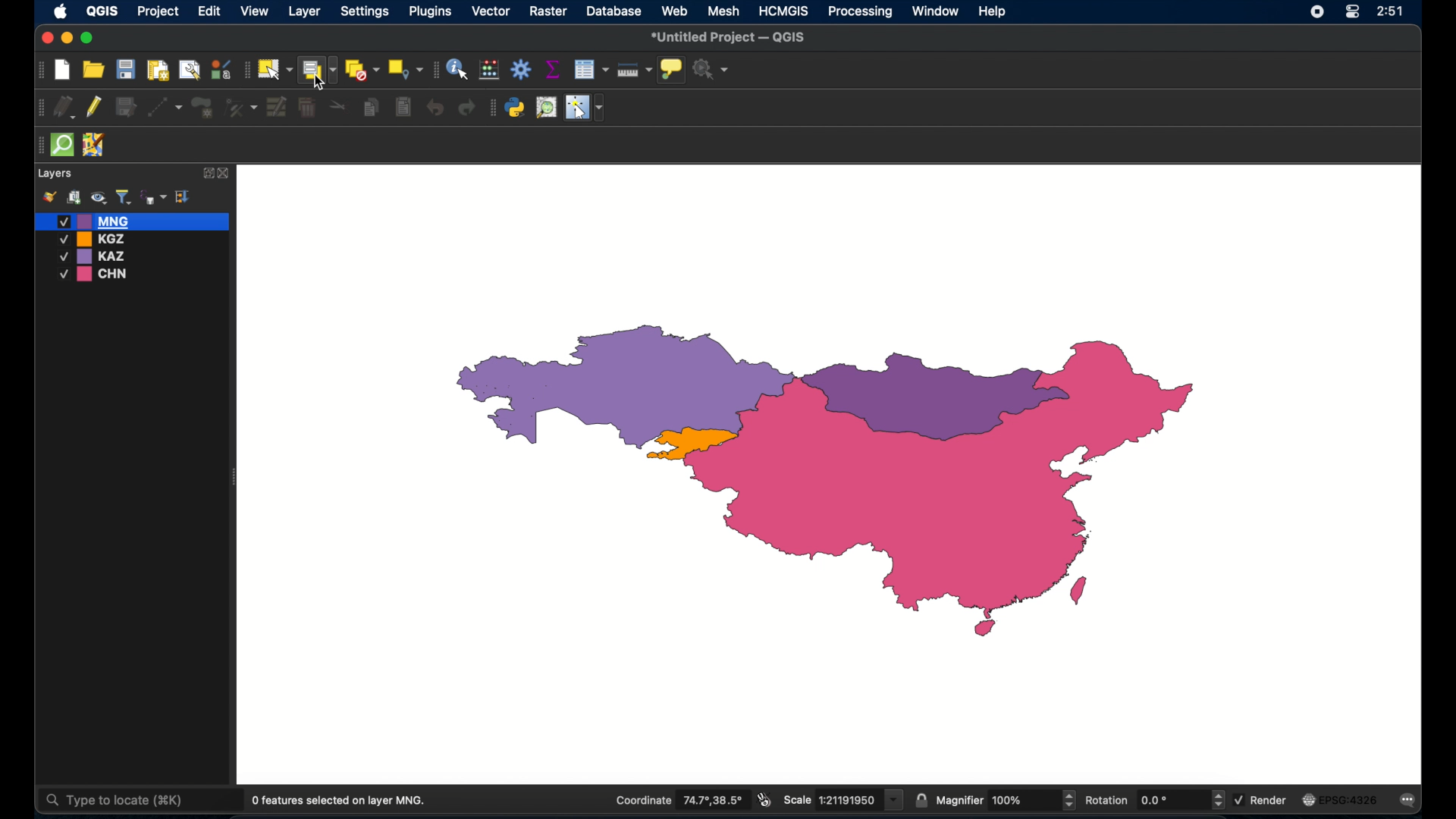  What do you see at coordinates (157, 69) in the screenshot?
I see `print layout` at bounding box center [157, 69].